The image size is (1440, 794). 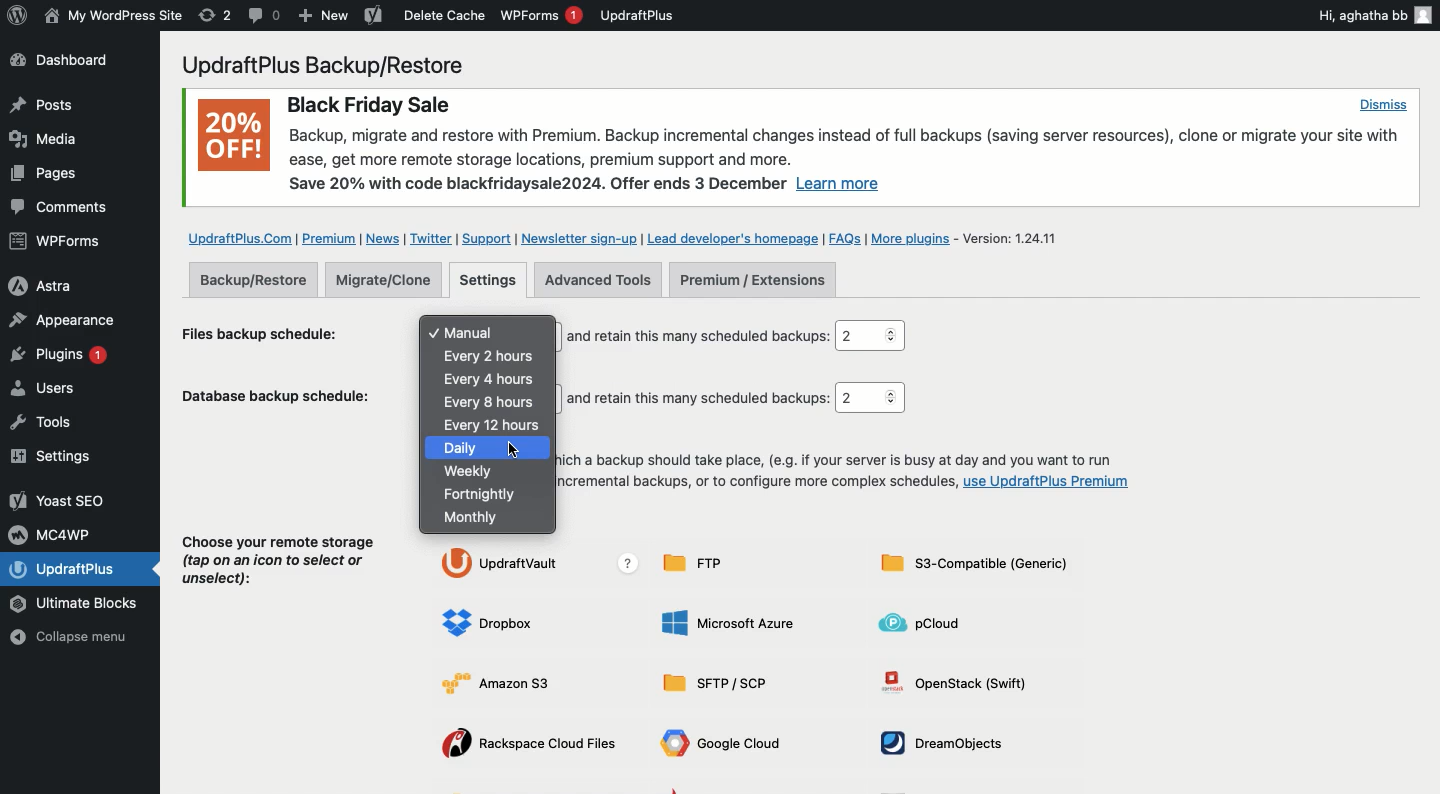 What do you see at coordinates (869, 398) in the screenshot?
I see `2` at bounding box center [869, 398].